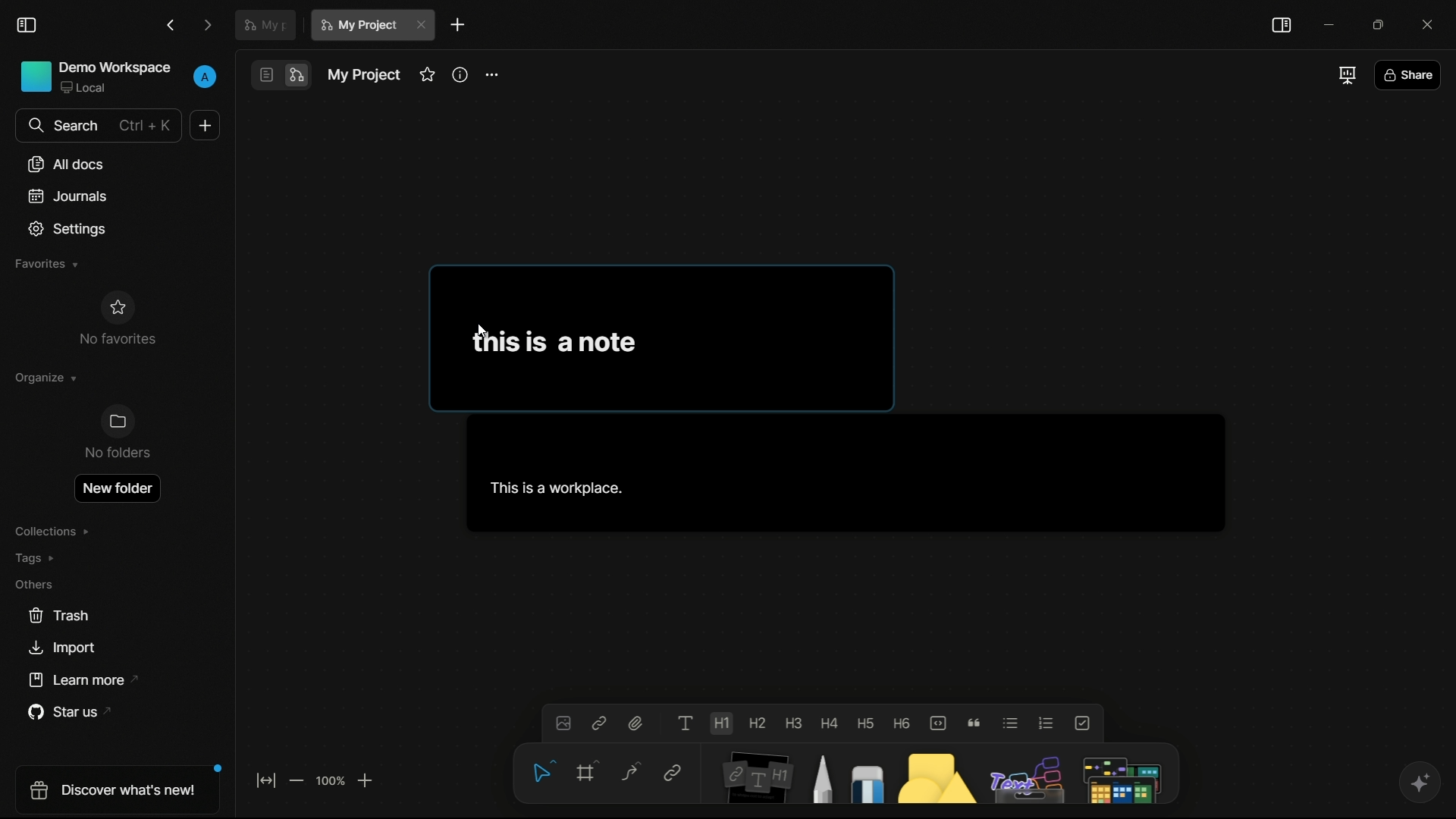  What do you see at coordinates (117, 485) in the screenshot?
I see `new folder` at bounding box center [117, 485].